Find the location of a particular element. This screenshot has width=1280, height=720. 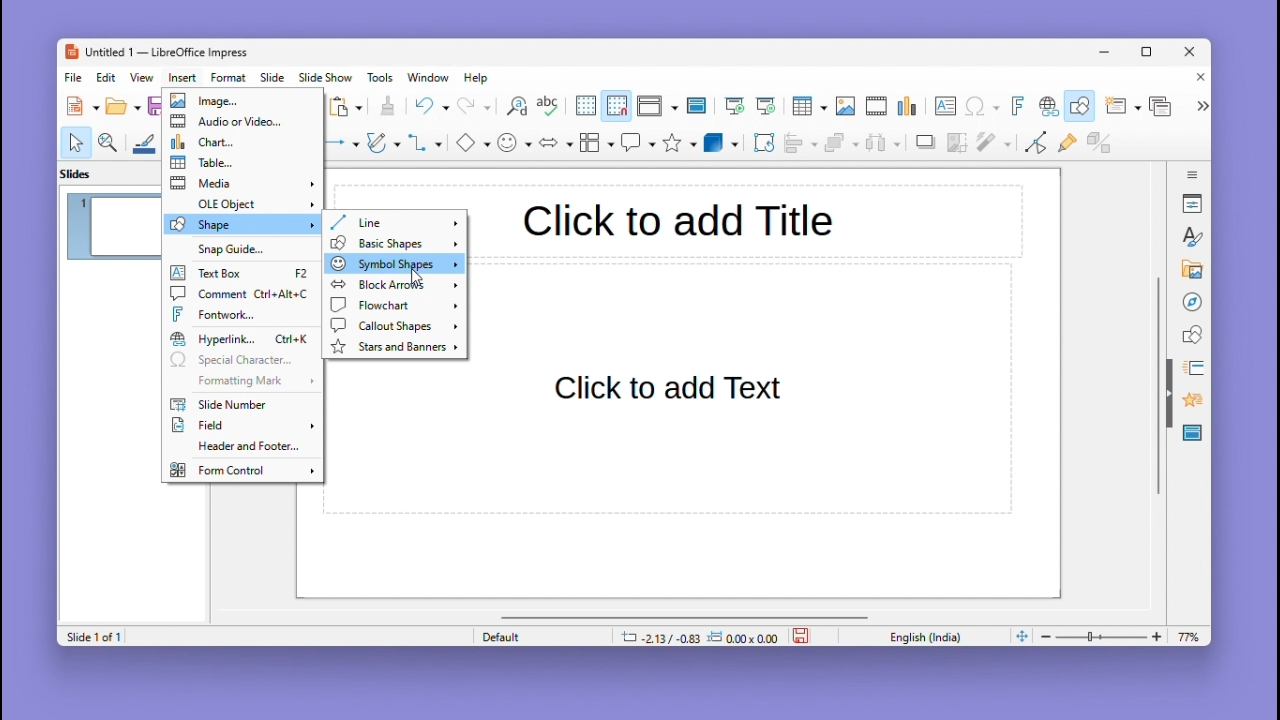

Blocks is located at coordinates (597, 142).